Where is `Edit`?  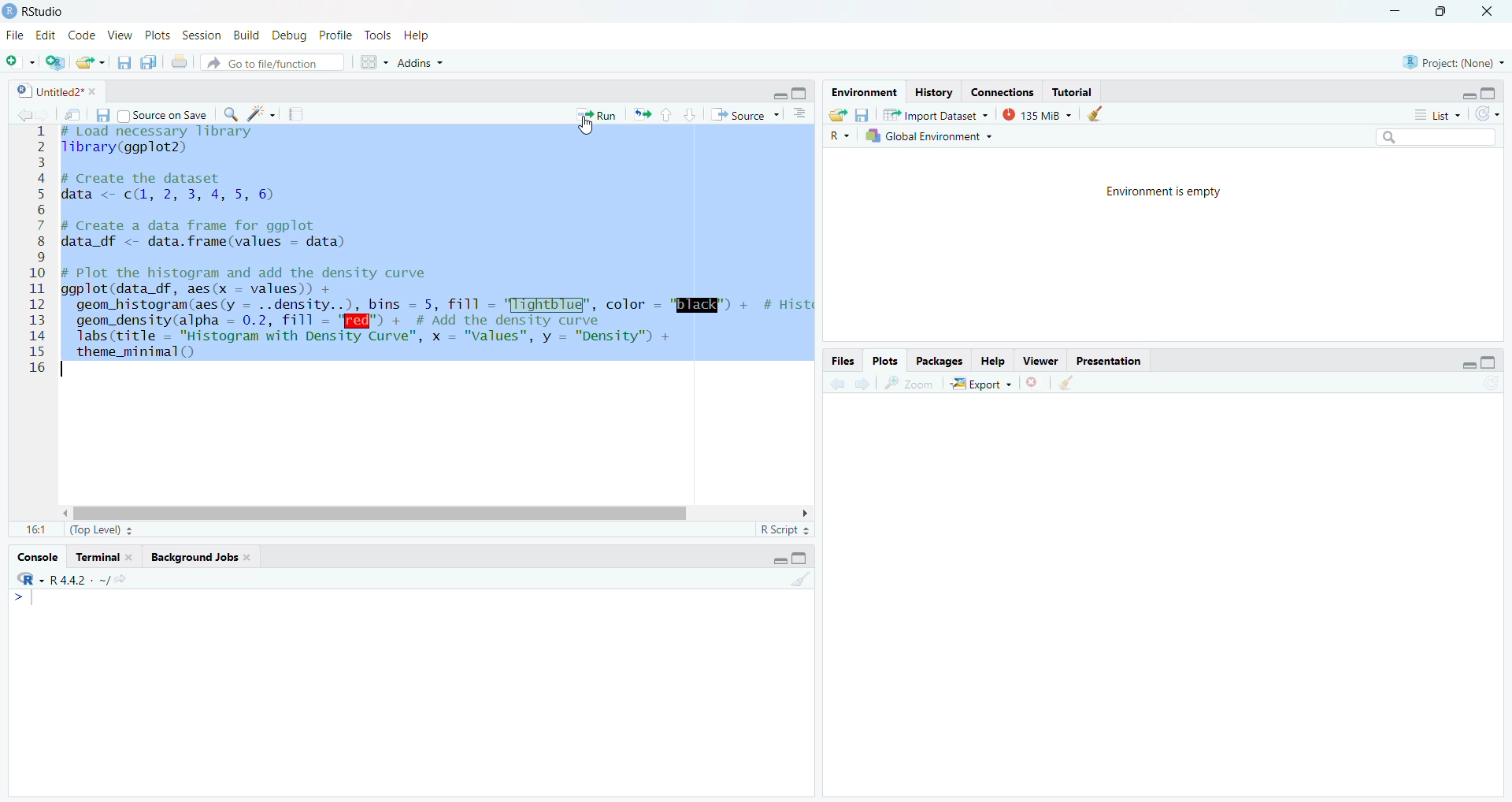 Edit is located at coordinates (46, 34).